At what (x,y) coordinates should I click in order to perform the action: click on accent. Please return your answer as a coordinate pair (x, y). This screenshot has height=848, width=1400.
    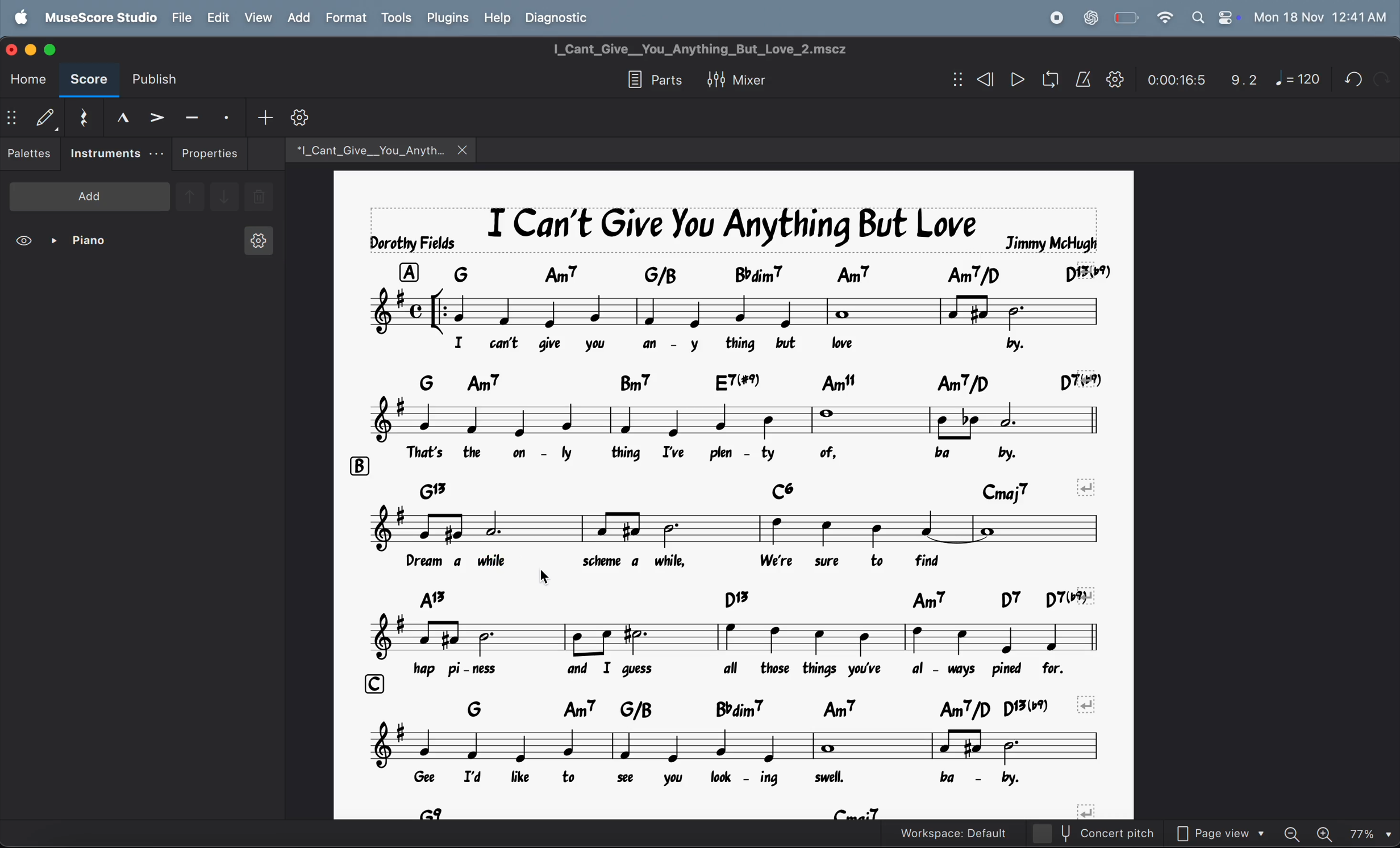
    Looking at the image, I should click on (153, 114).